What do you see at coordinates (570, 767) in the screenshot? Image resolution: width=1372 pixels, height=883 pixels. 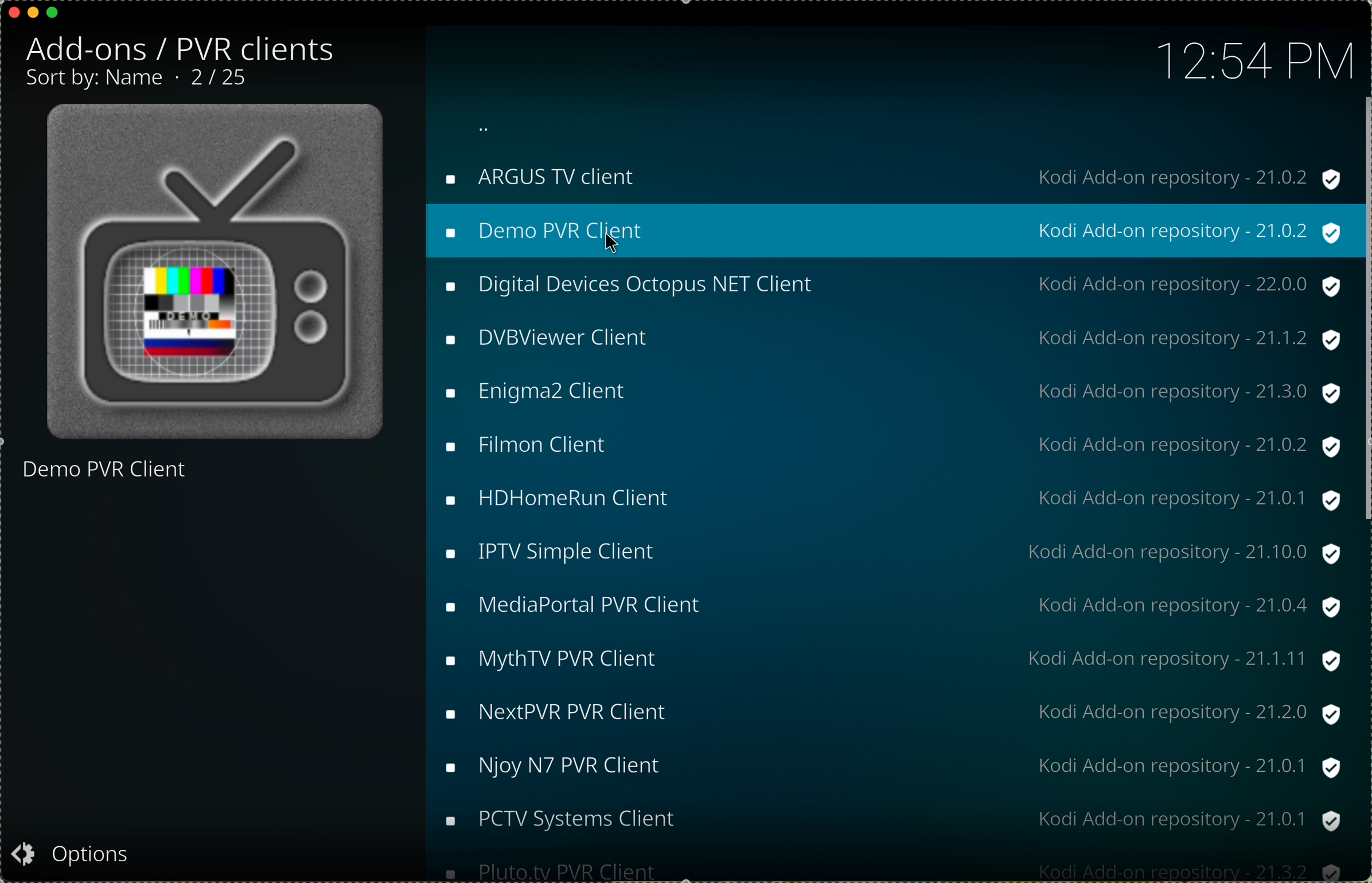 I see `Njoy N7 PVR client` at bounding box center [570, 767].